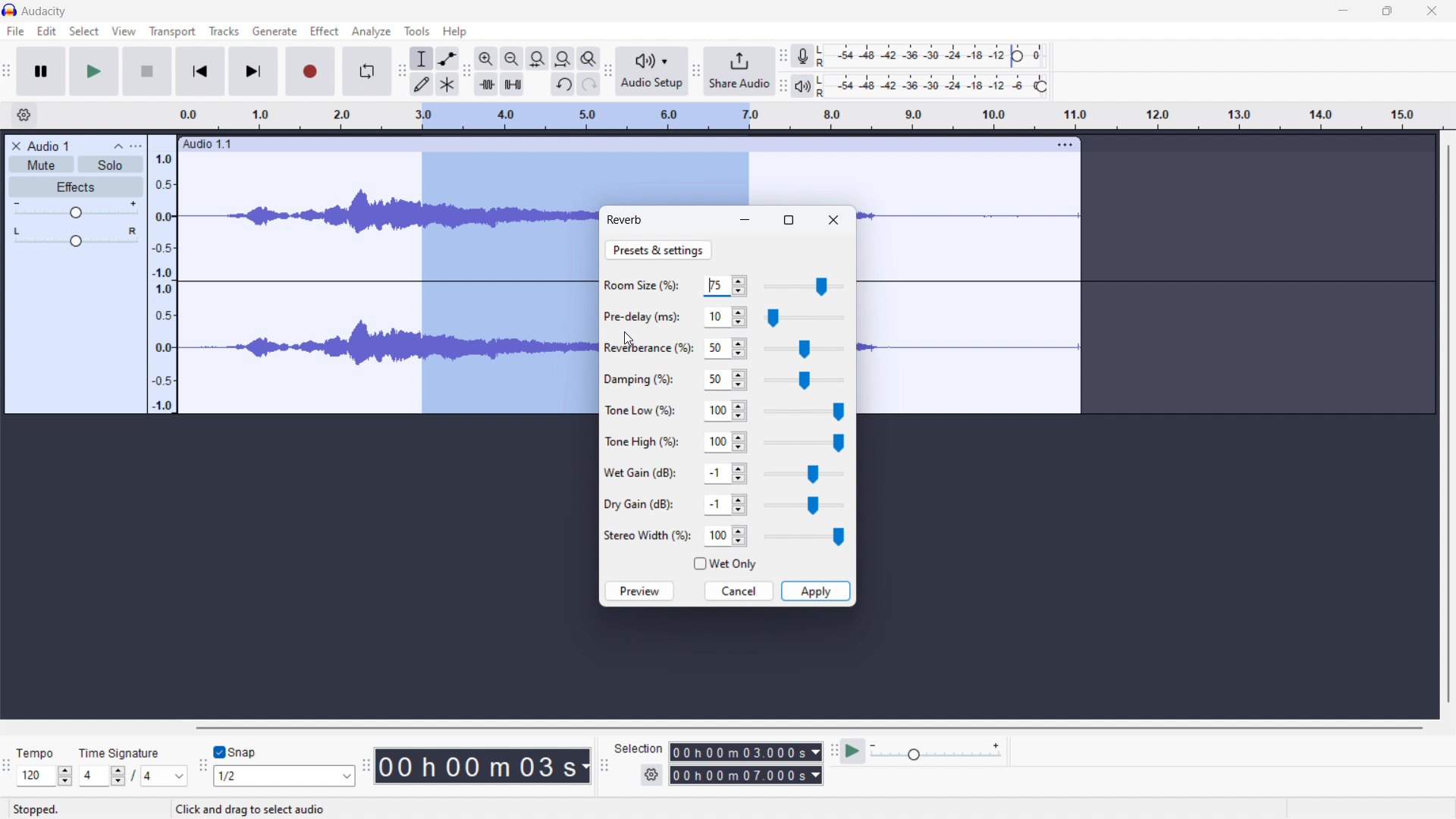 This screenshot has height=819, width=1456. What do you see at coordinates (538, 58) in the screenshot?
I see `fill selection to width` at bounding box center [538, 58].